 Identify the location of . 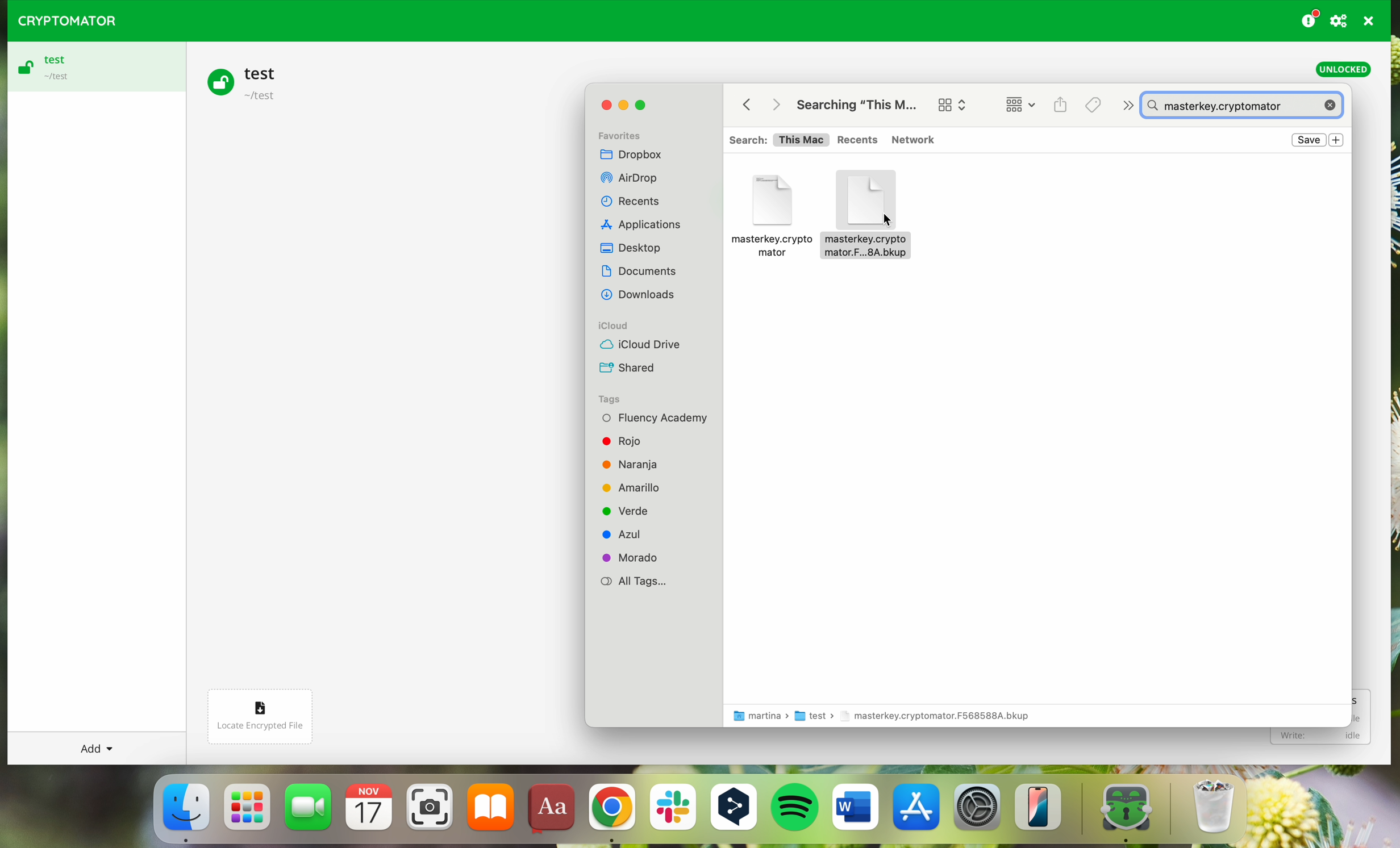
(639, 177).